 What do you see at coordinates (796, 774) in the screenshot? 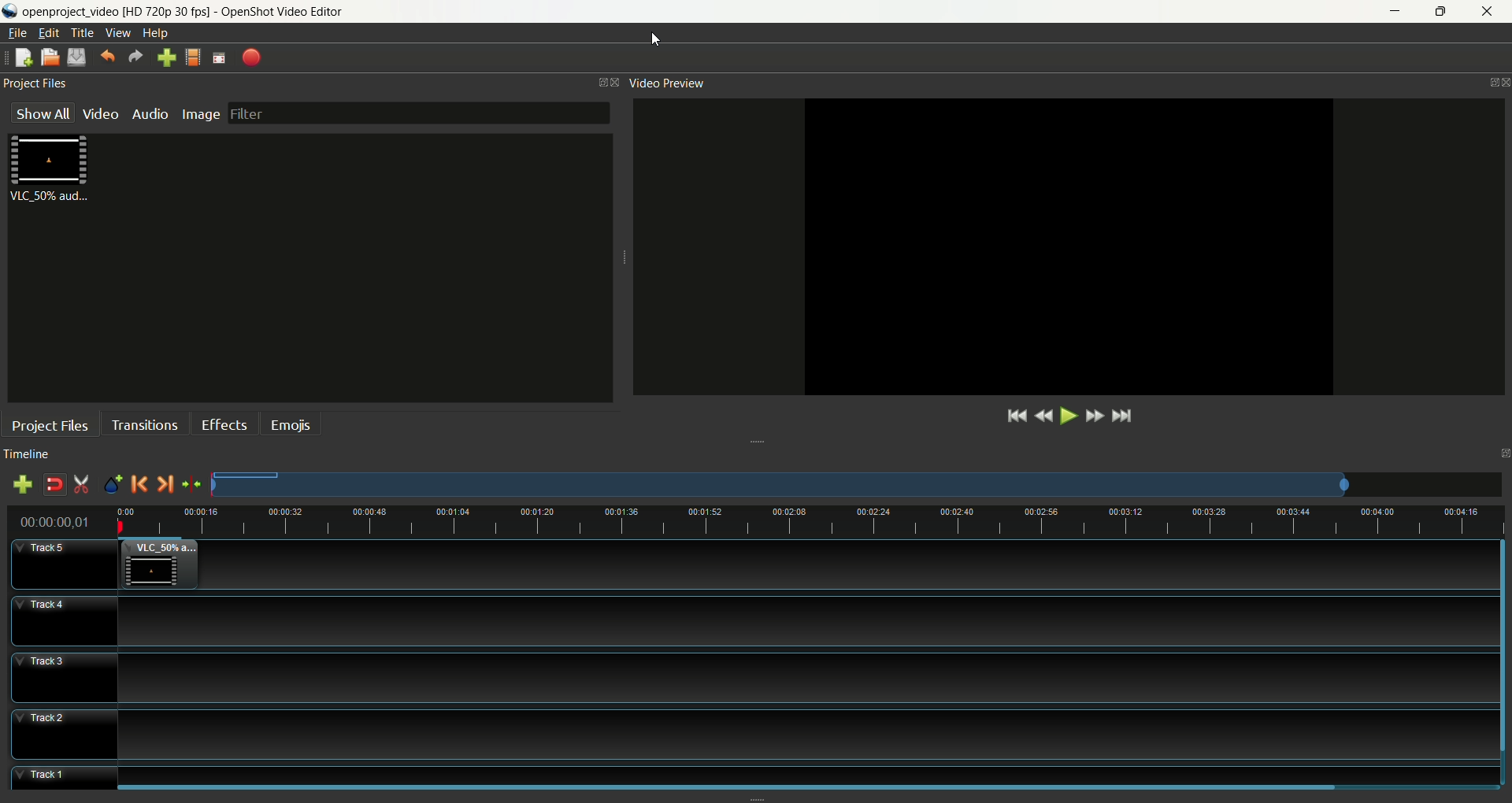
I see `` at bounding box center [796, 774].